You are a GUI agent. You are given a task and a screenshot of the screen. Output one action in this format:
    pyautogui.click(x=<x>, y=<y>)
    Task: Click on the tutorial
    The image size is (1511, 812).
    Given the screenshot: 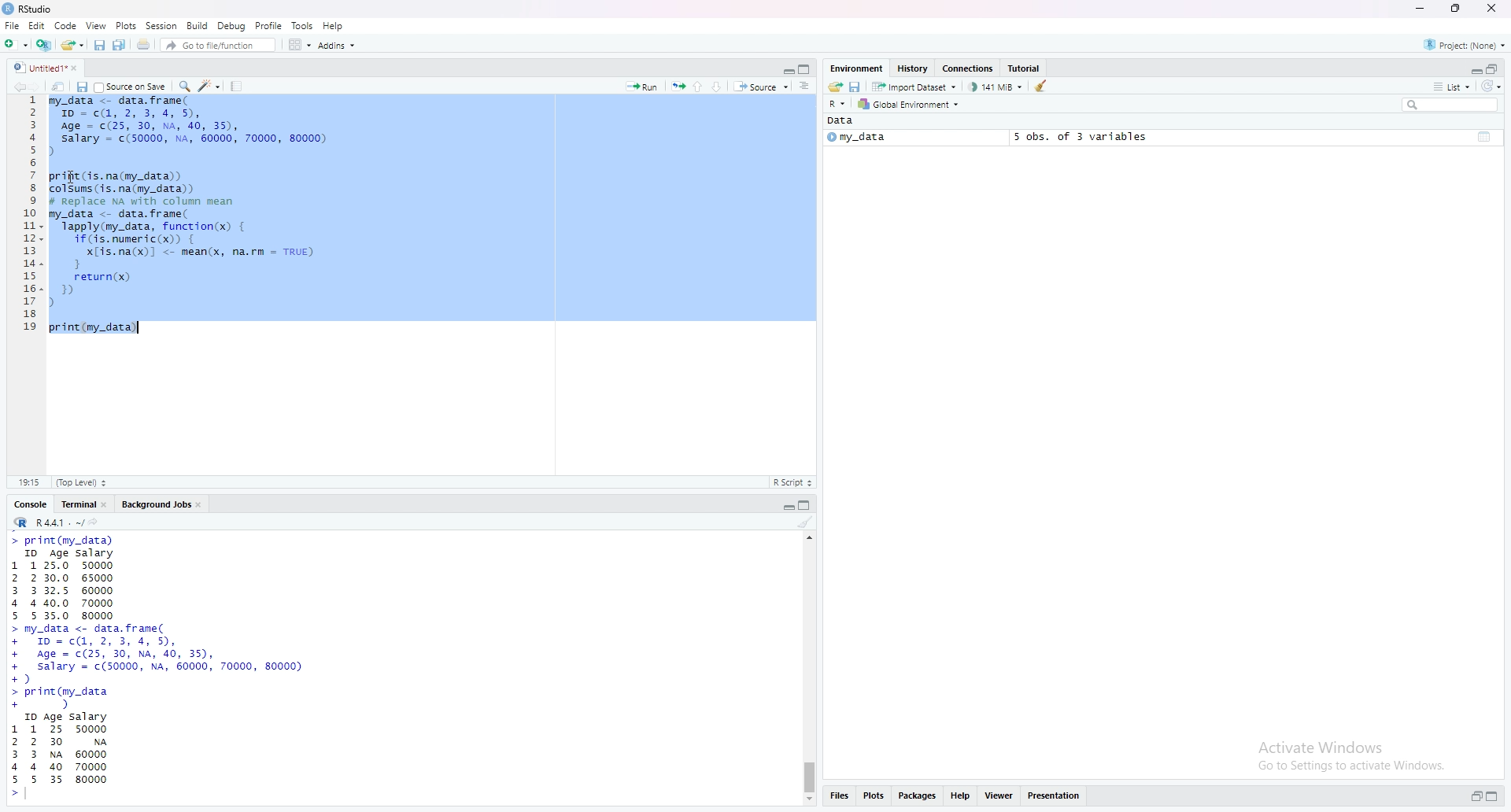 What is the action you would take?
    pyautogui.click(x=1025, y=68)
    